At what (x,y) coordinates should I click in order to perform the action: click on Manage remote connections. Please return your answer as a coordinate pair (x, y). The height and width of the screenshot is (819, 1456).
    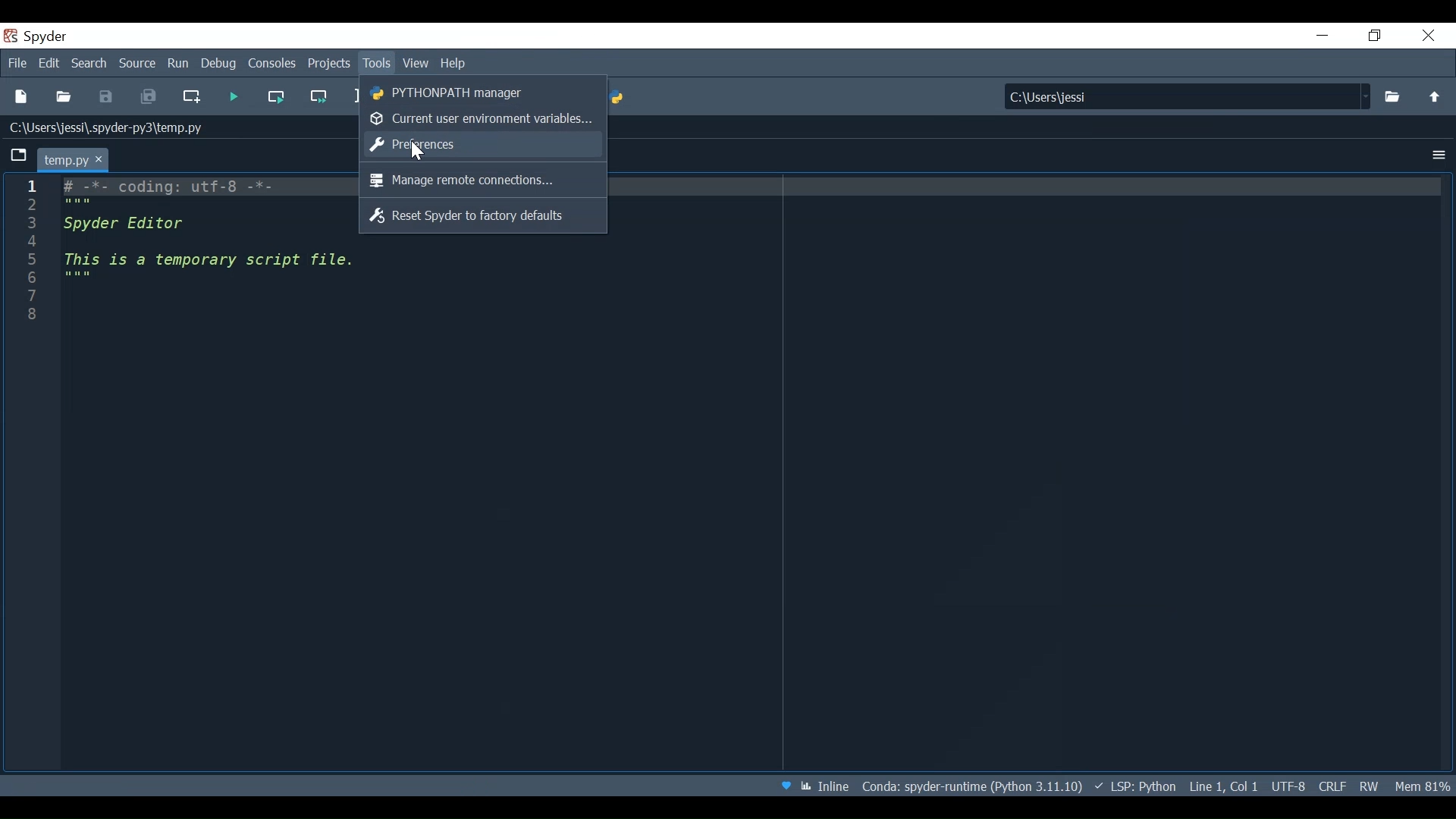
    Looking at the image, I should click on (483, 180).